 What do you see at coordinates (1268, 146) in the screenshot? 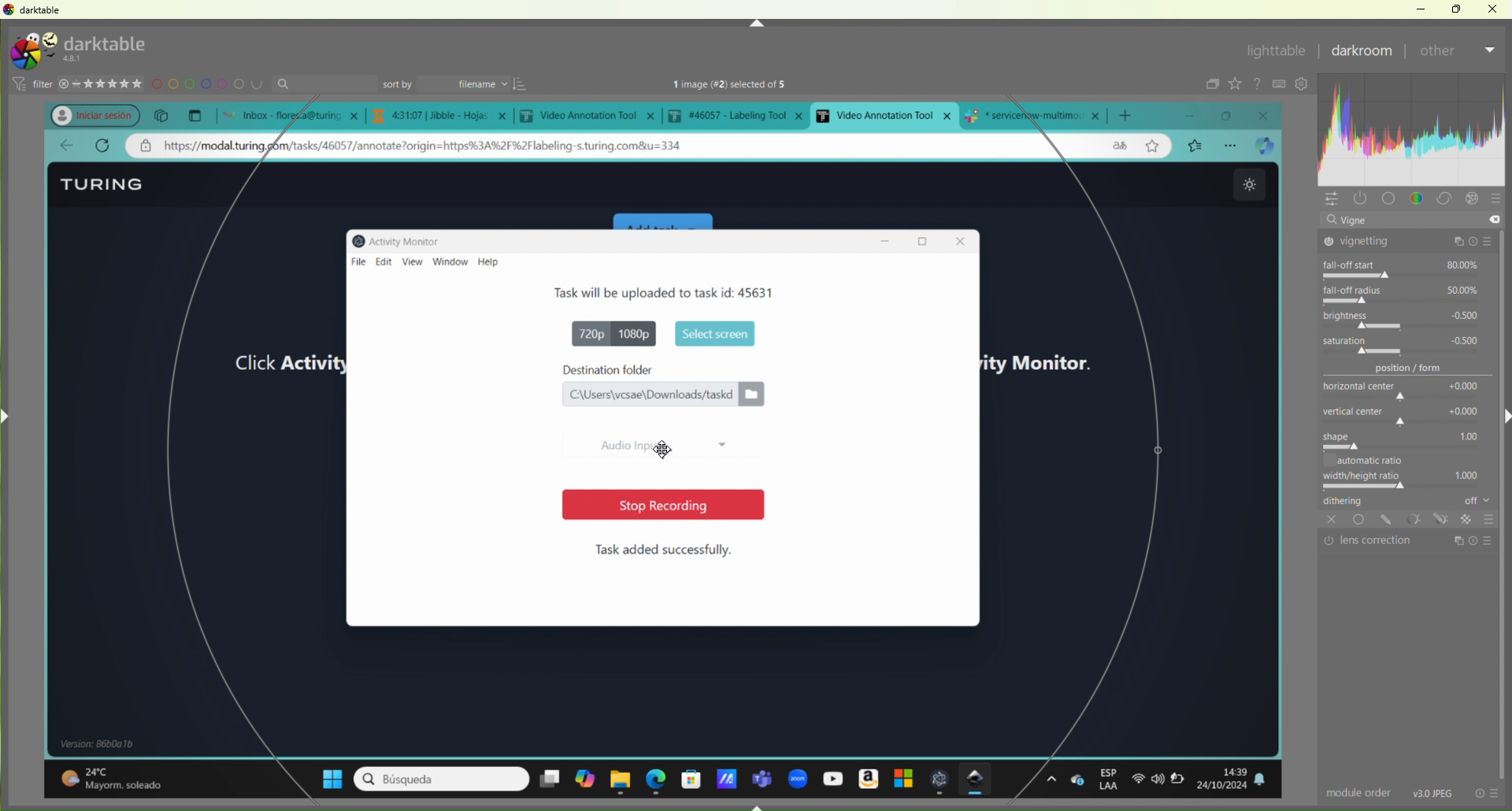
I see `broswer` at bounding box center [1268, 146].